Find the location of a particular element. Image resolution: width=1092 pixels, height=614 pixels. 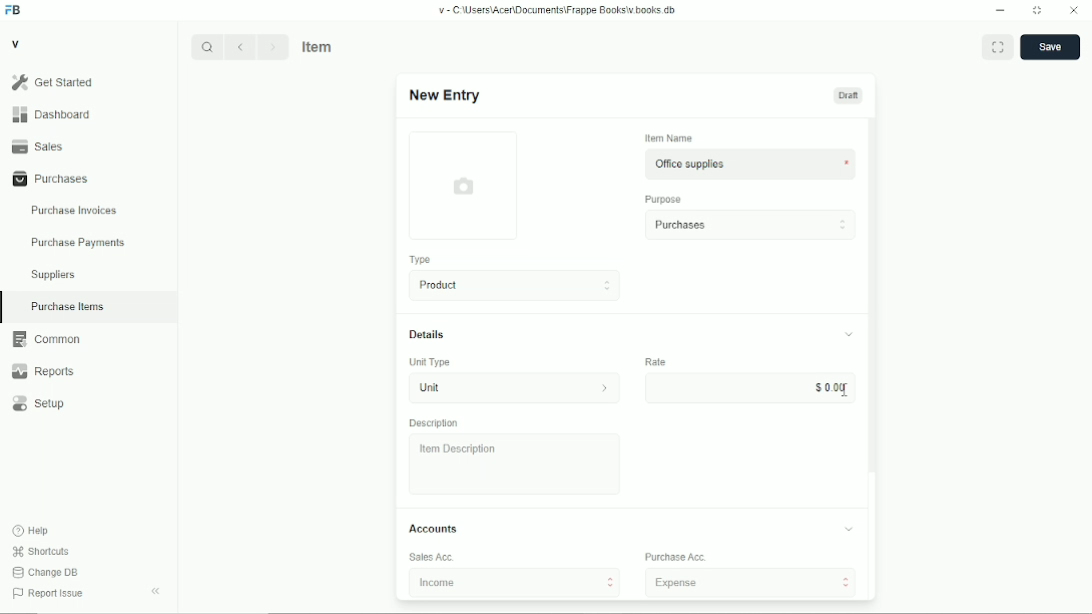

rate is located at coordinates (655, 361).